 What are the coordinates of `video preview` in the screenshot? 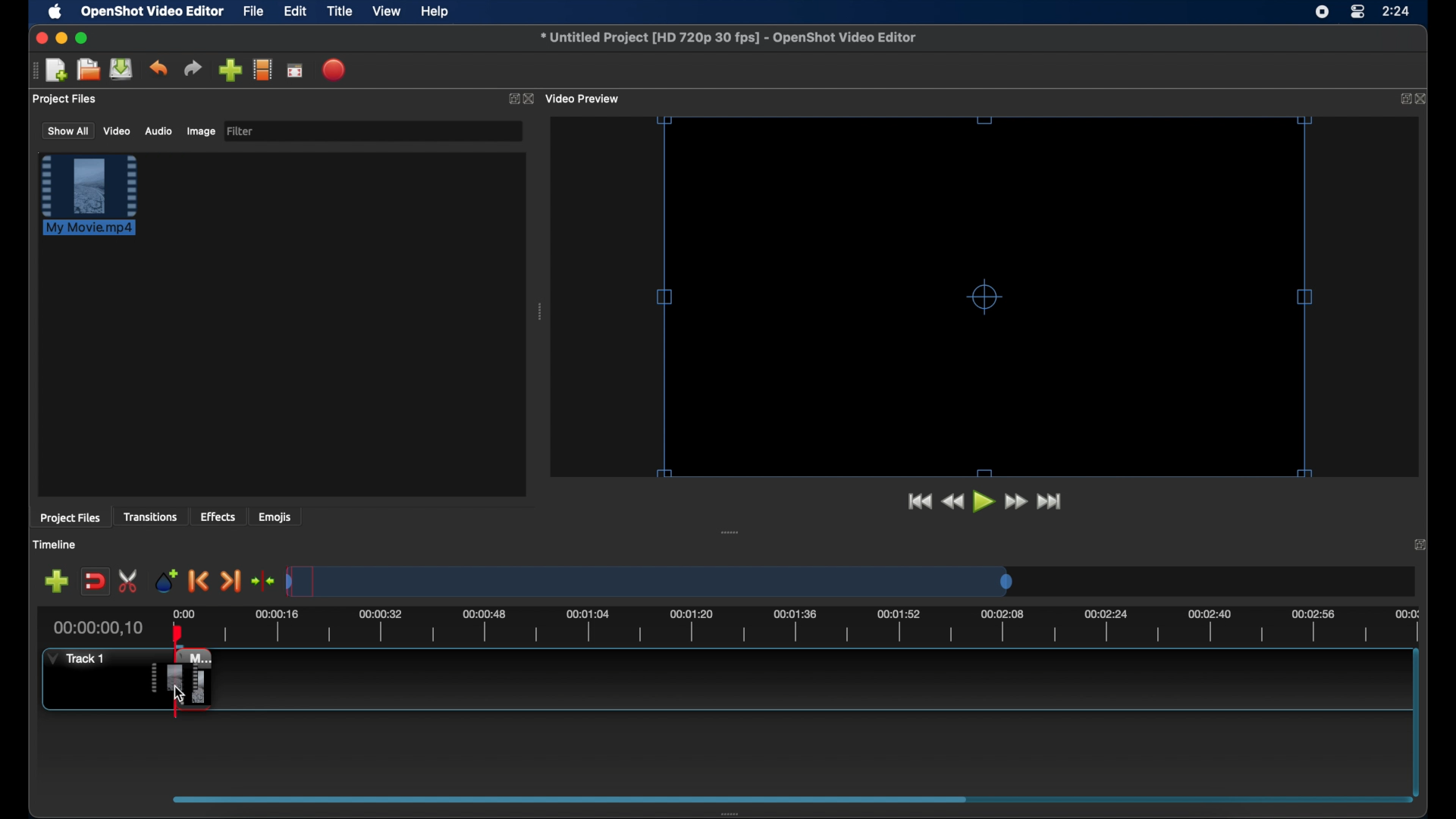 It's located at (584, 98).